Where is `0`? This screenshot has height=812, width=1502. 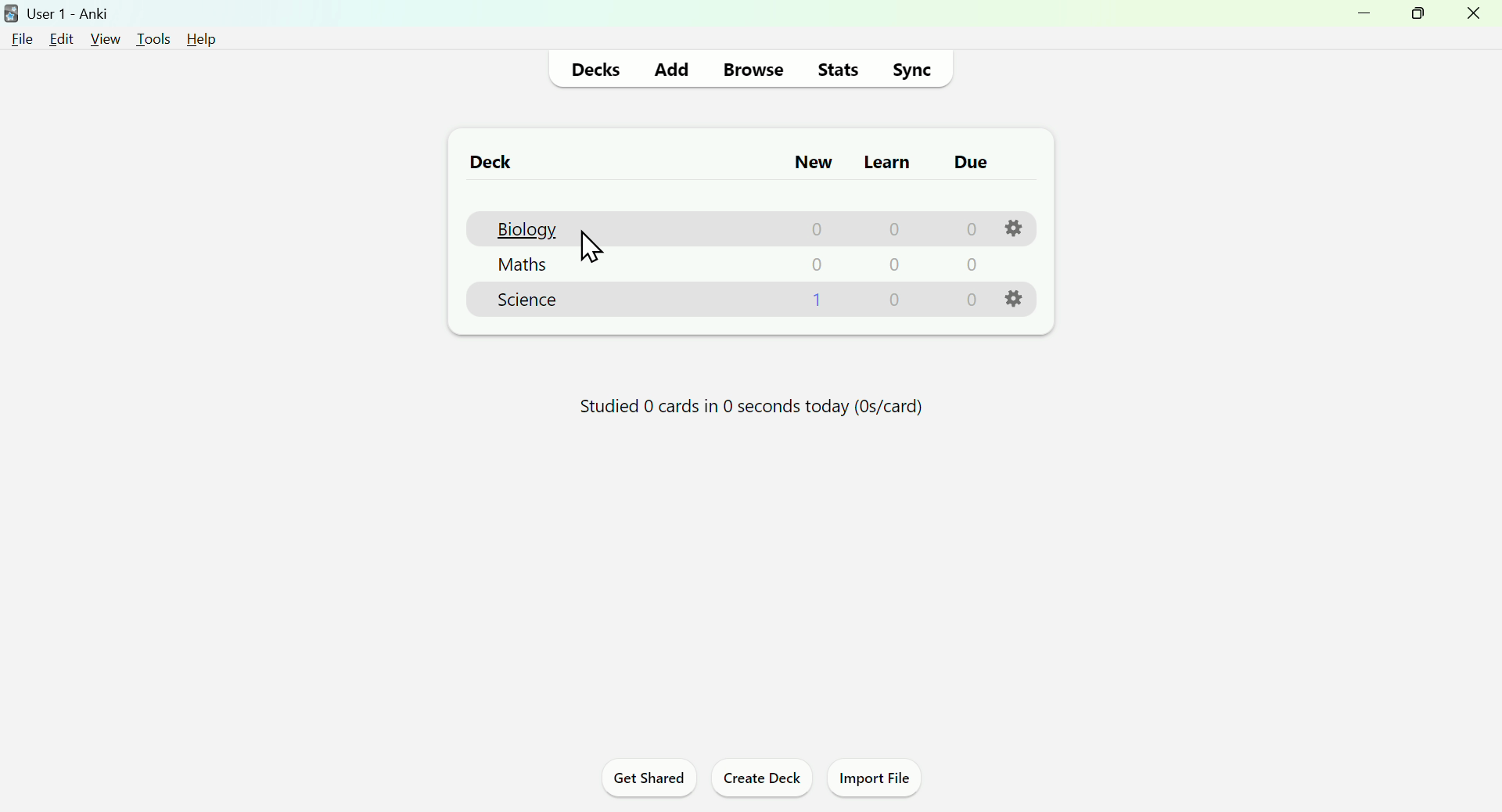 0 is located at coordinates (967, 229).